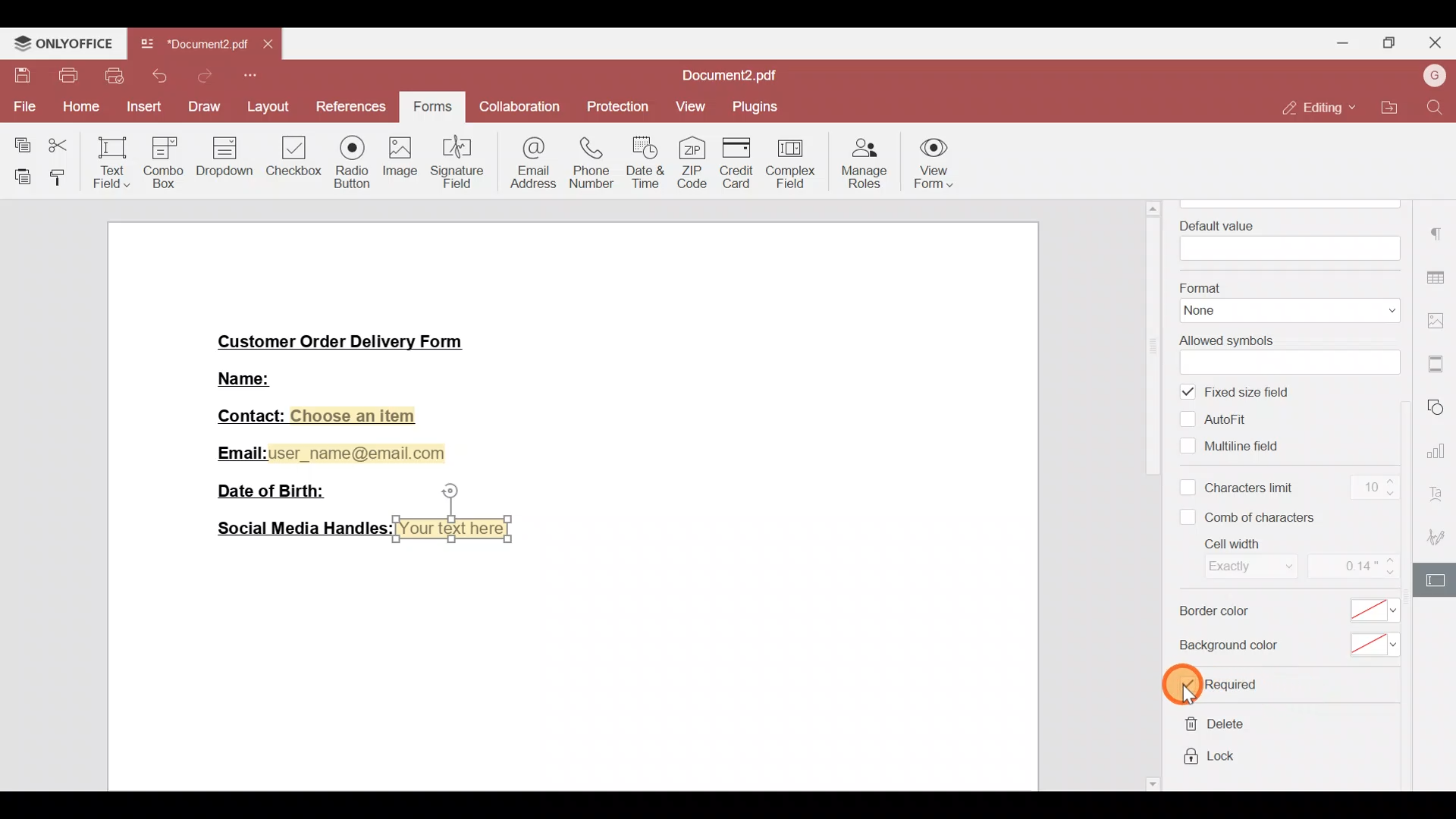 This screenshot has width=1456, height=819. What do you see at coordinates (1156, 494) in the screenshot?
I see `Scroll bar` at bounding box center [1156, 494].